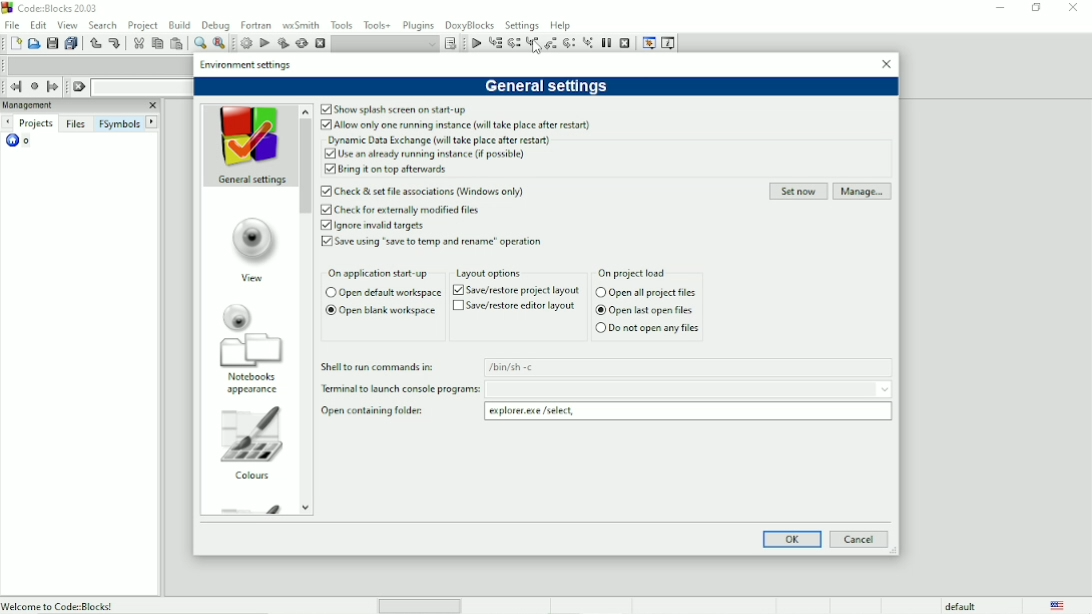 This screenshot has width=1092, height=614. I want to click on scroll down, so click(305, 506).